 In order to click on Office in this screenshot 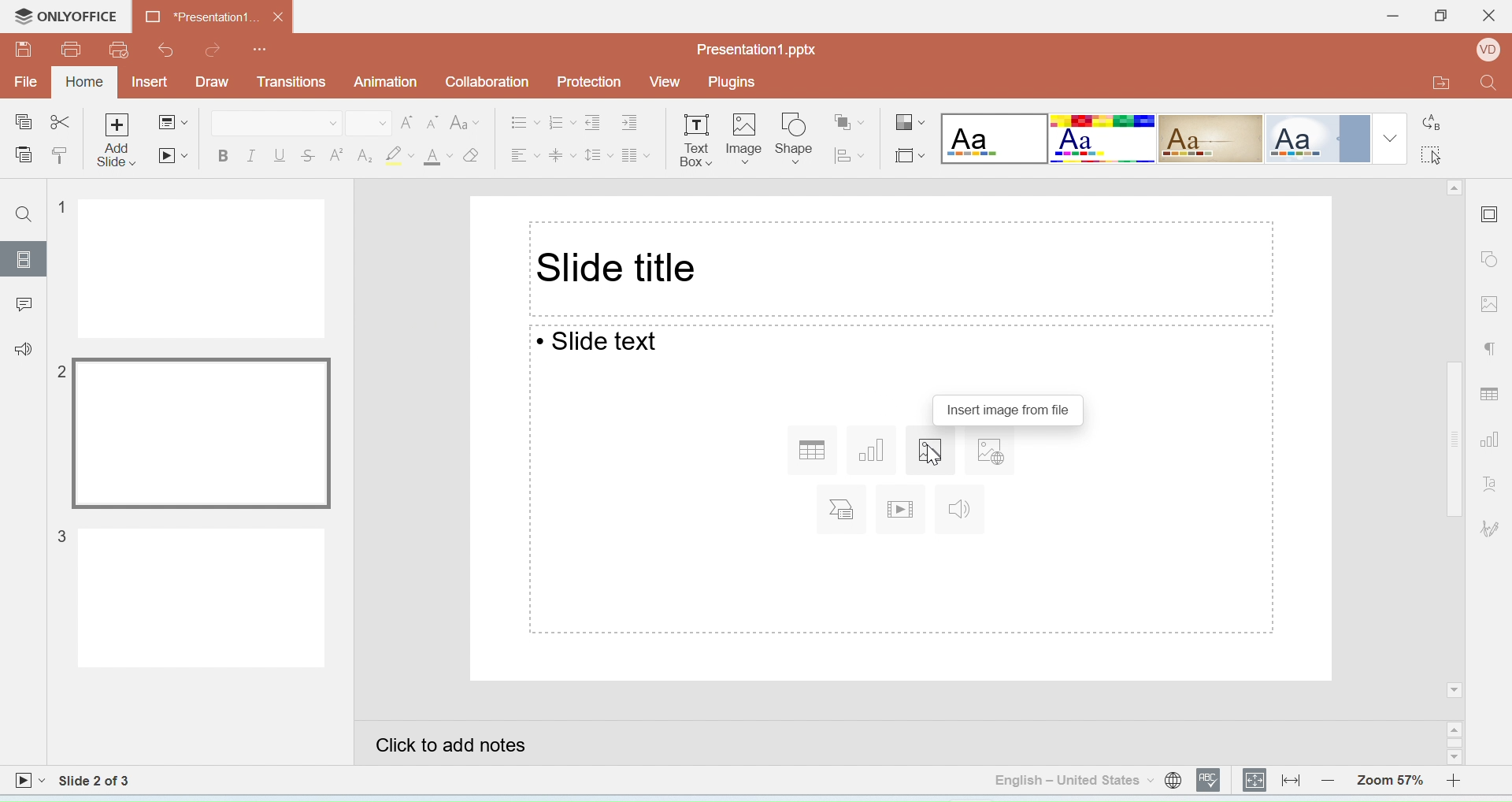, I will do `click(1316, 139)`.